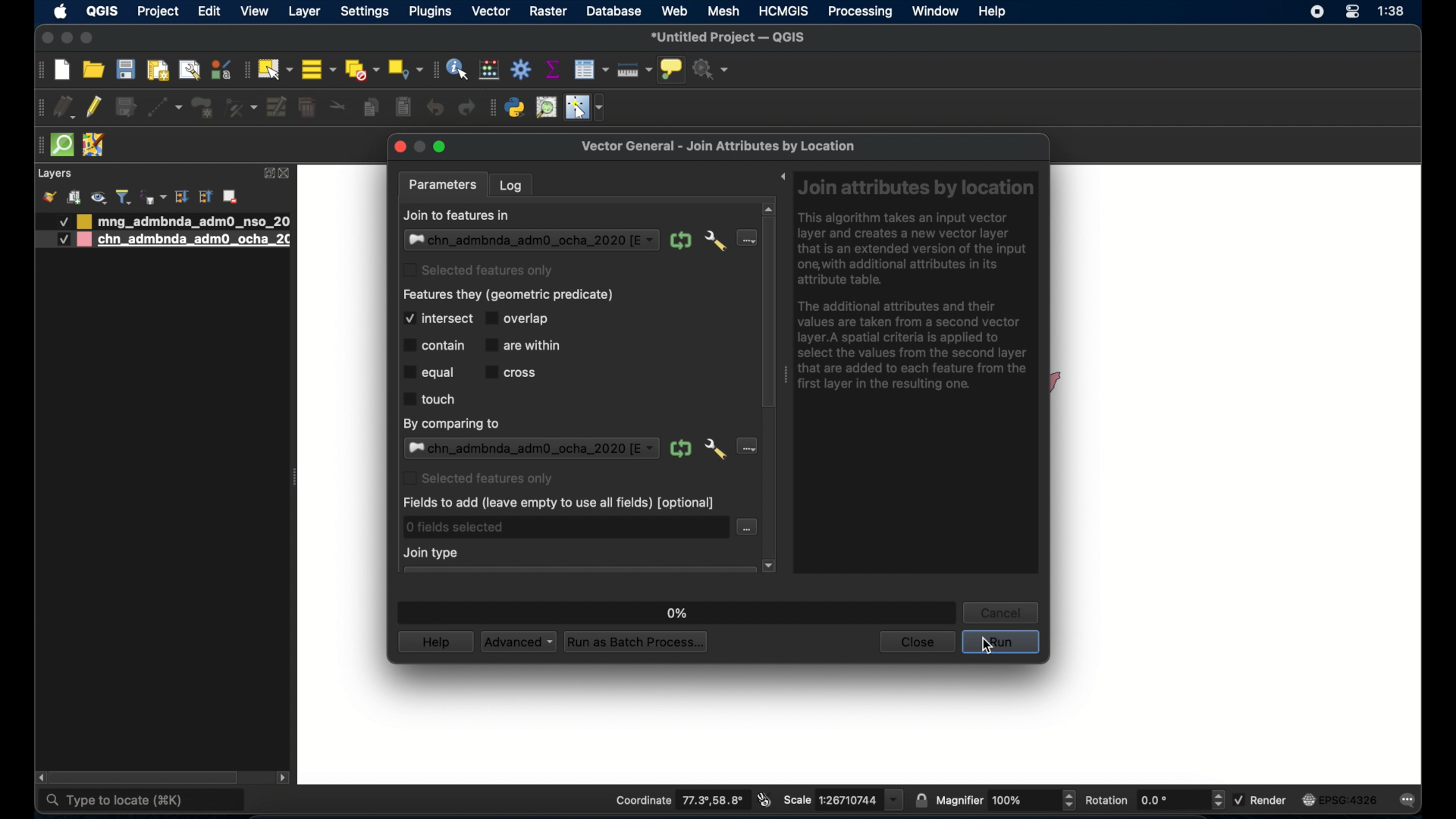 This screenshot has height=819, width=1456. I want to click on , so click(56, 222).